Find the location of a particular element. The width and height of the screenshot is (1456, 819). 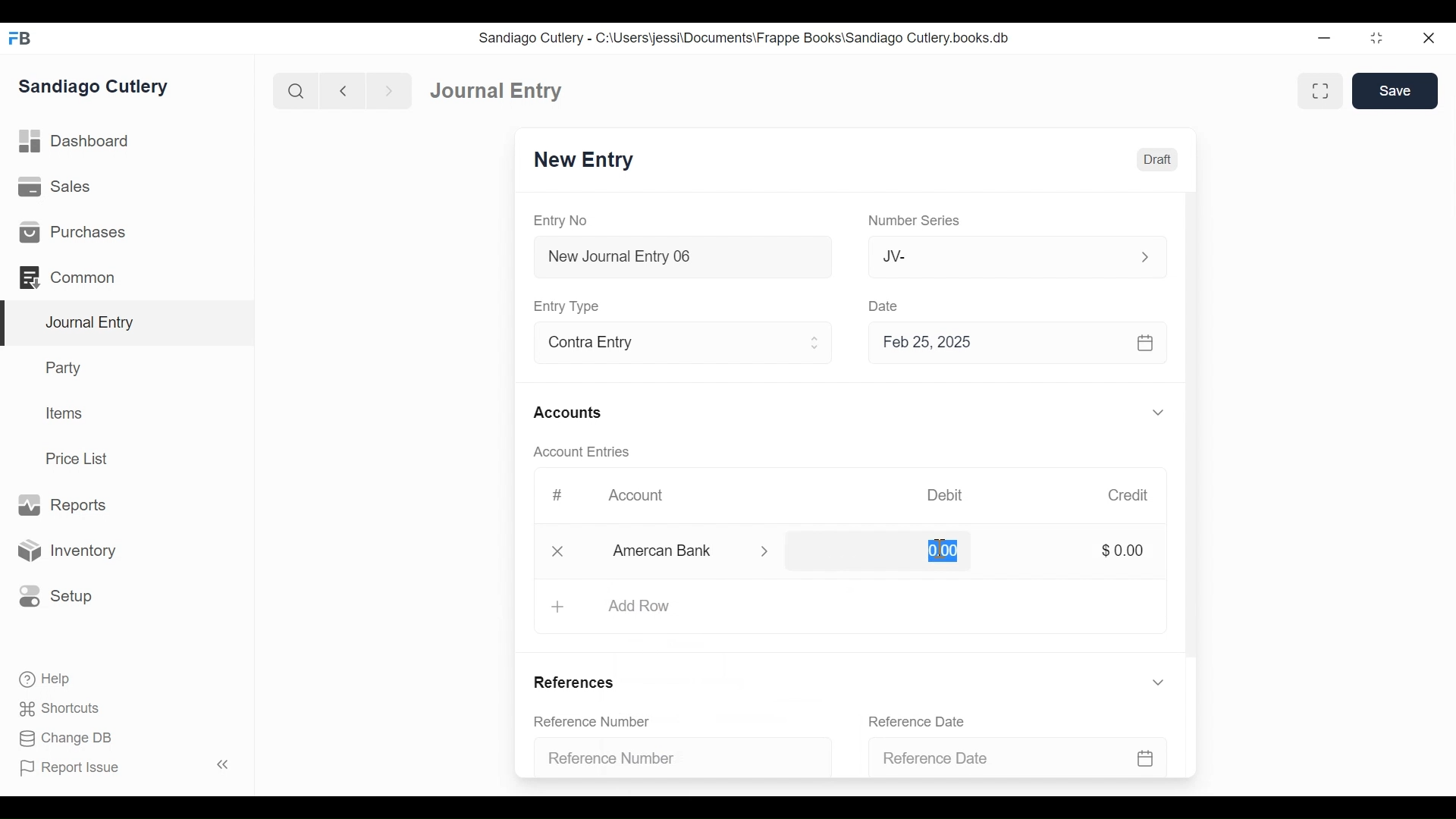

JV- is located at coordinates (999, 255).